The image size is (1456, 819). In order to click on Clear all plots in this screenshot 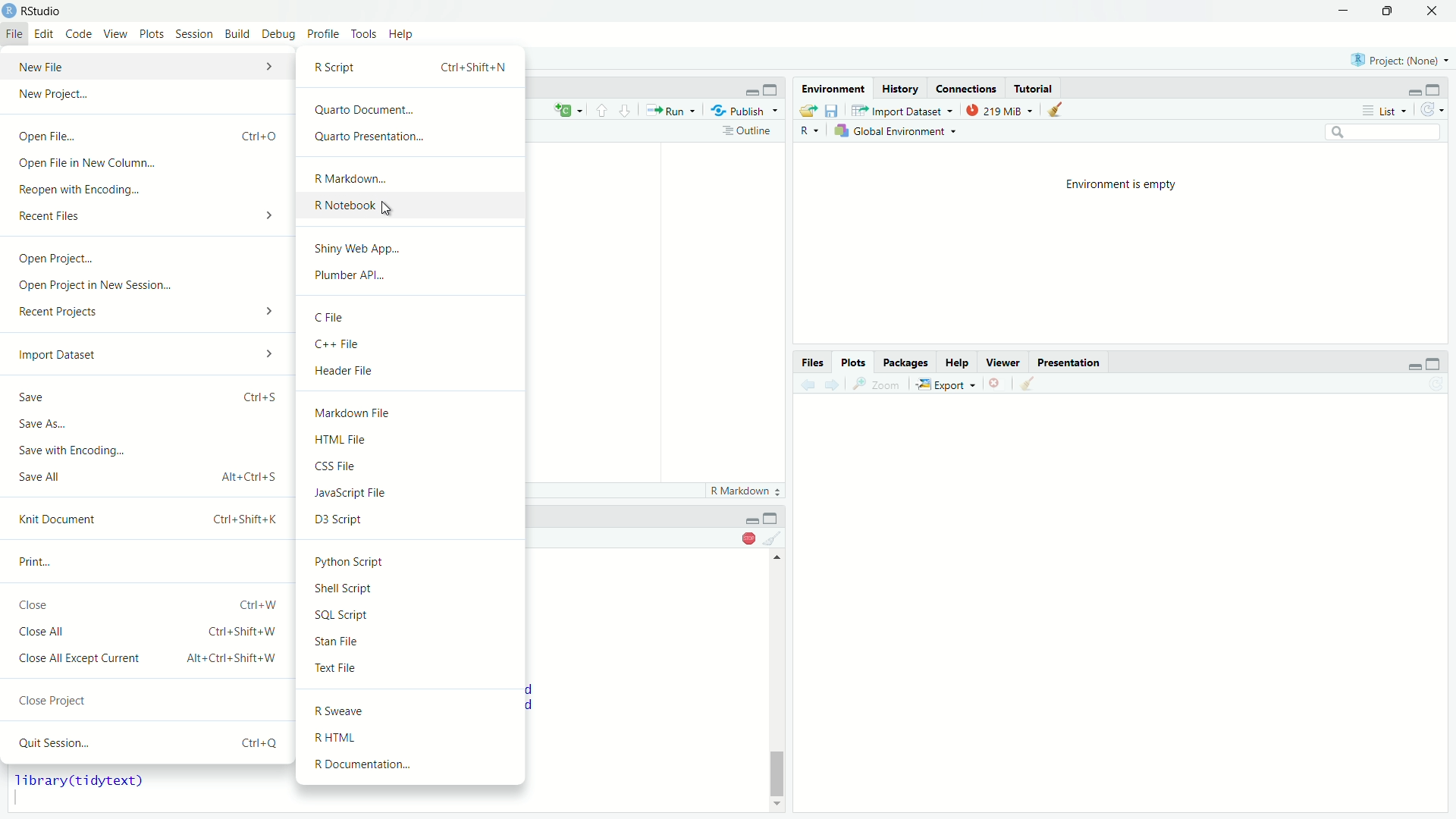, I will do `click(1034, 384)`.